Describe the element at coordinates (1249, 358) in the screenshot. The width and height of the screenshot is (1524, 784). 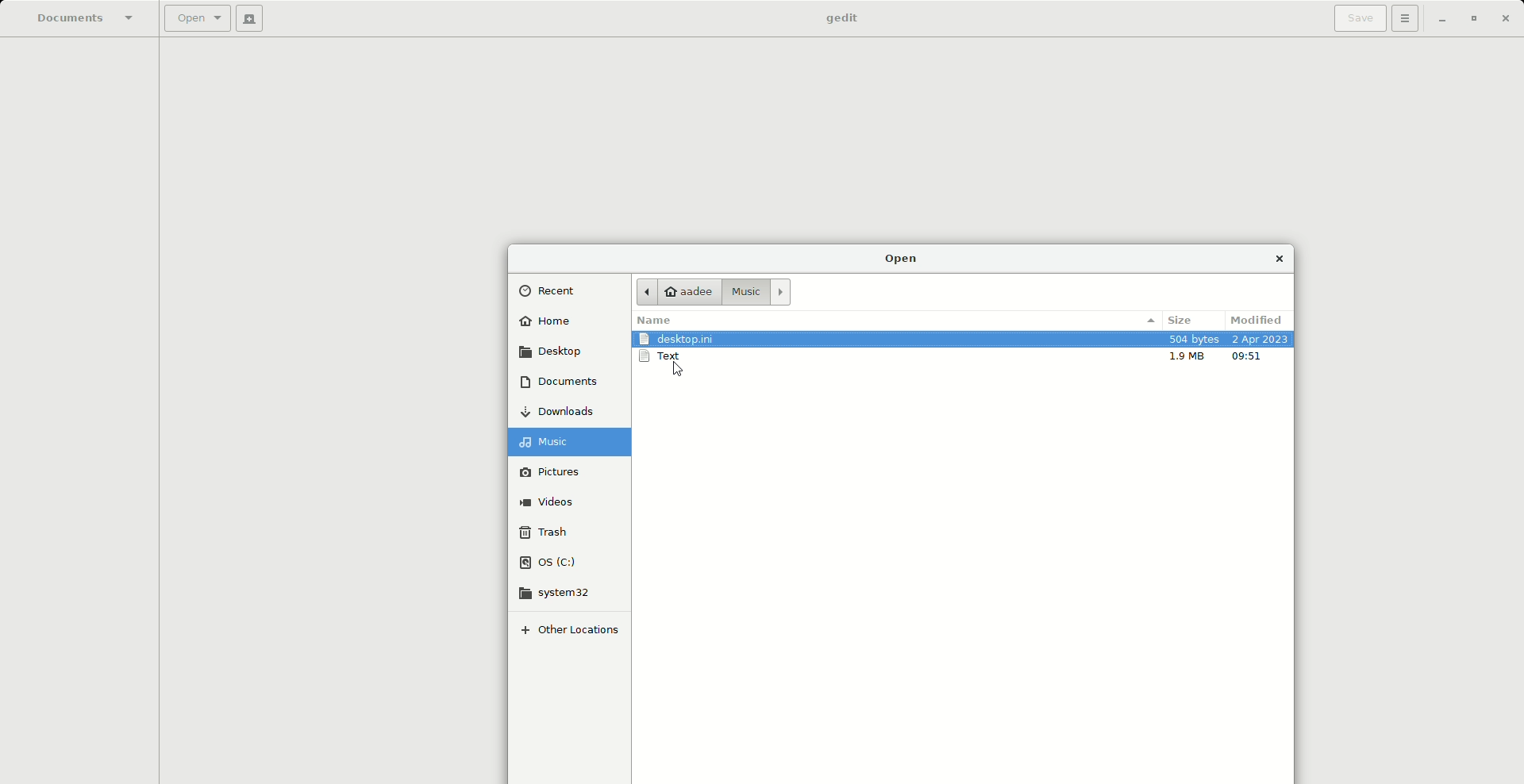
I see `time` at that location.